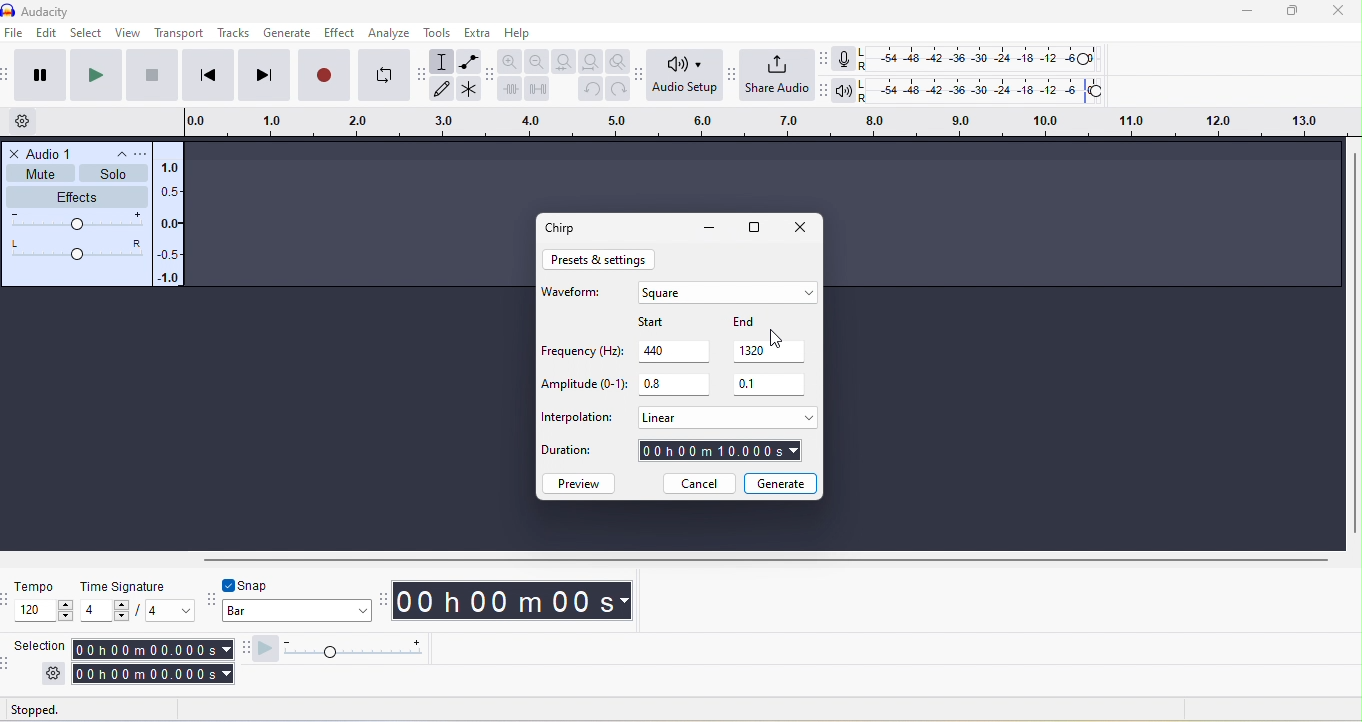 The image size is (1362, 722). What do you see at coordinates (771, 385) in the screenshot?
I see `0.1` at bounding box center [771, 385].